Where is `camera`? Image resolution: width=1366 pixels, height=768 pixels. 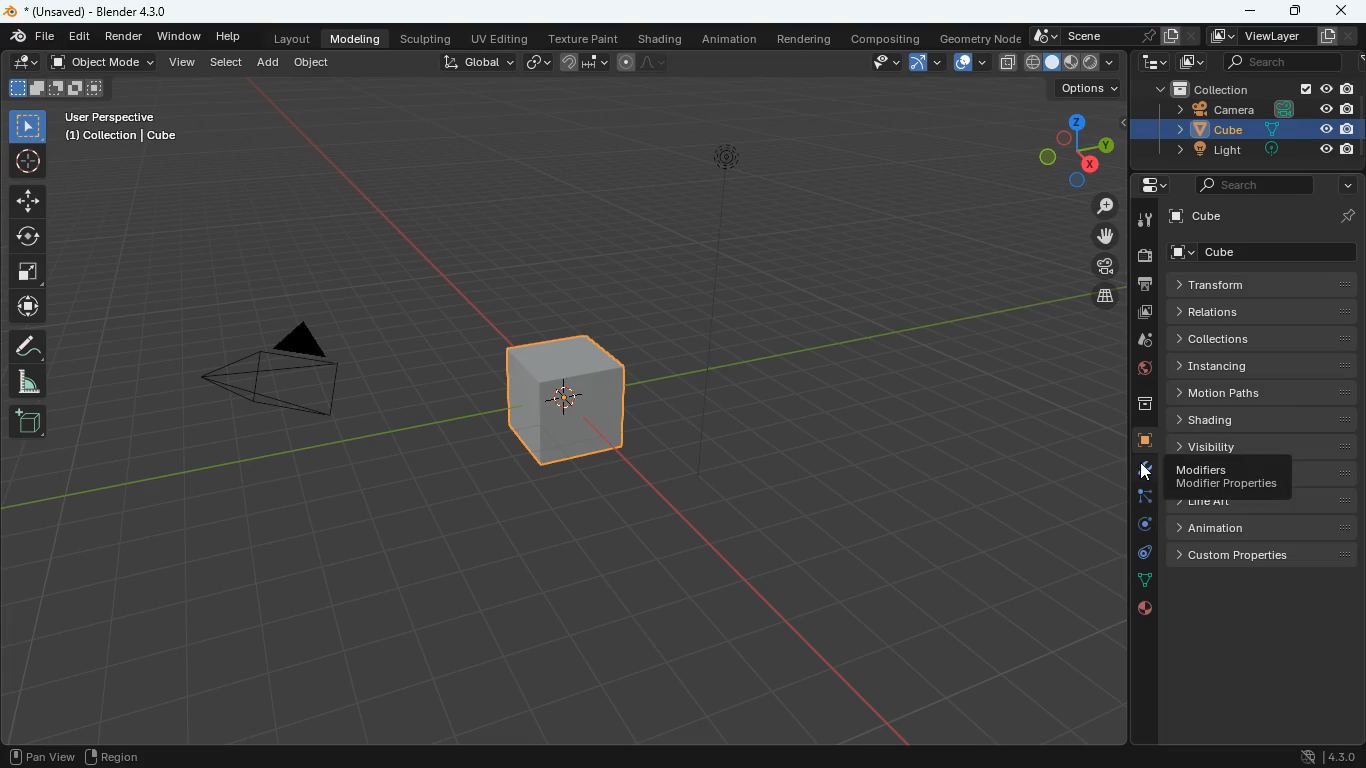
camera is located at coordinates (1141, 256).